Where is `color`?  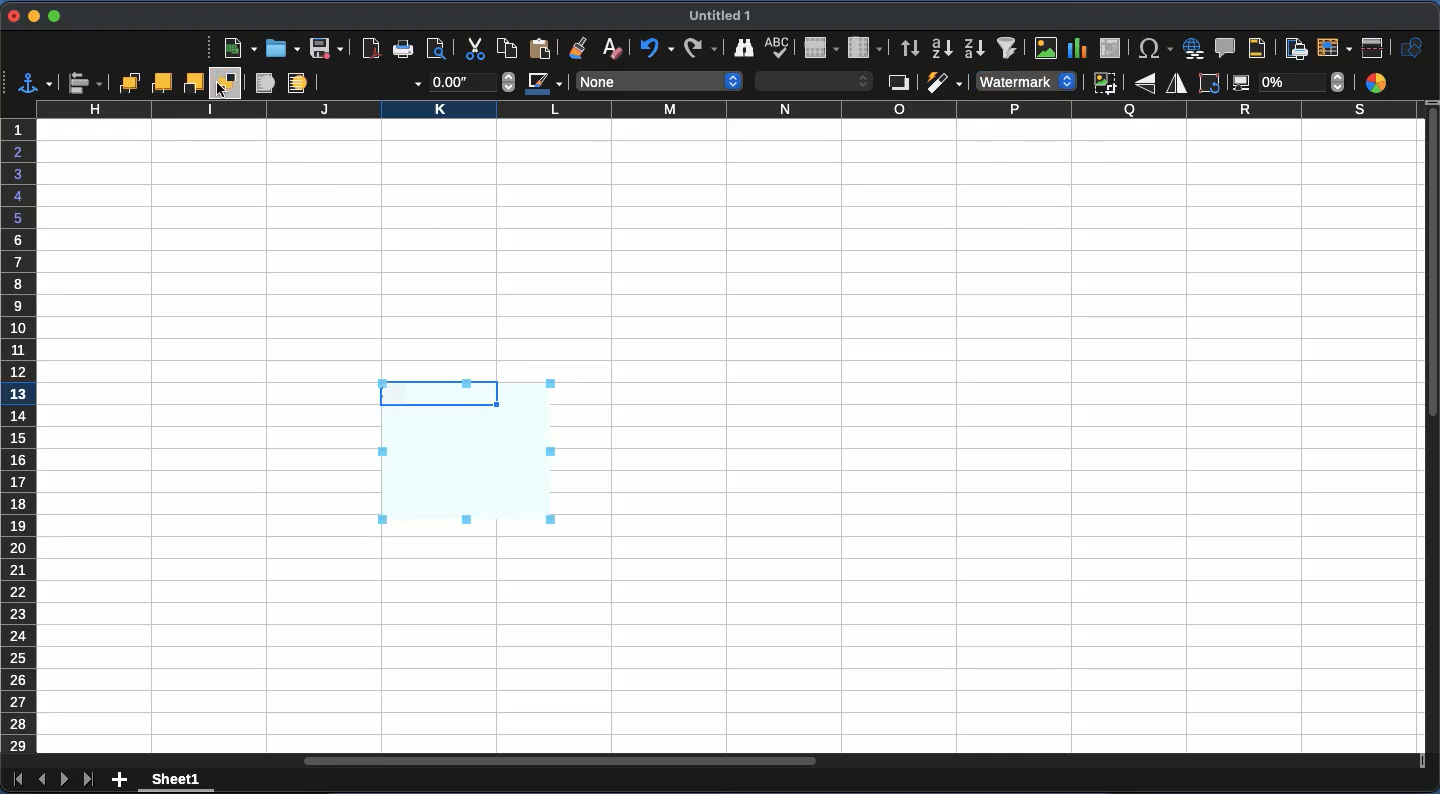 color is located at coordinates (1380, 82).